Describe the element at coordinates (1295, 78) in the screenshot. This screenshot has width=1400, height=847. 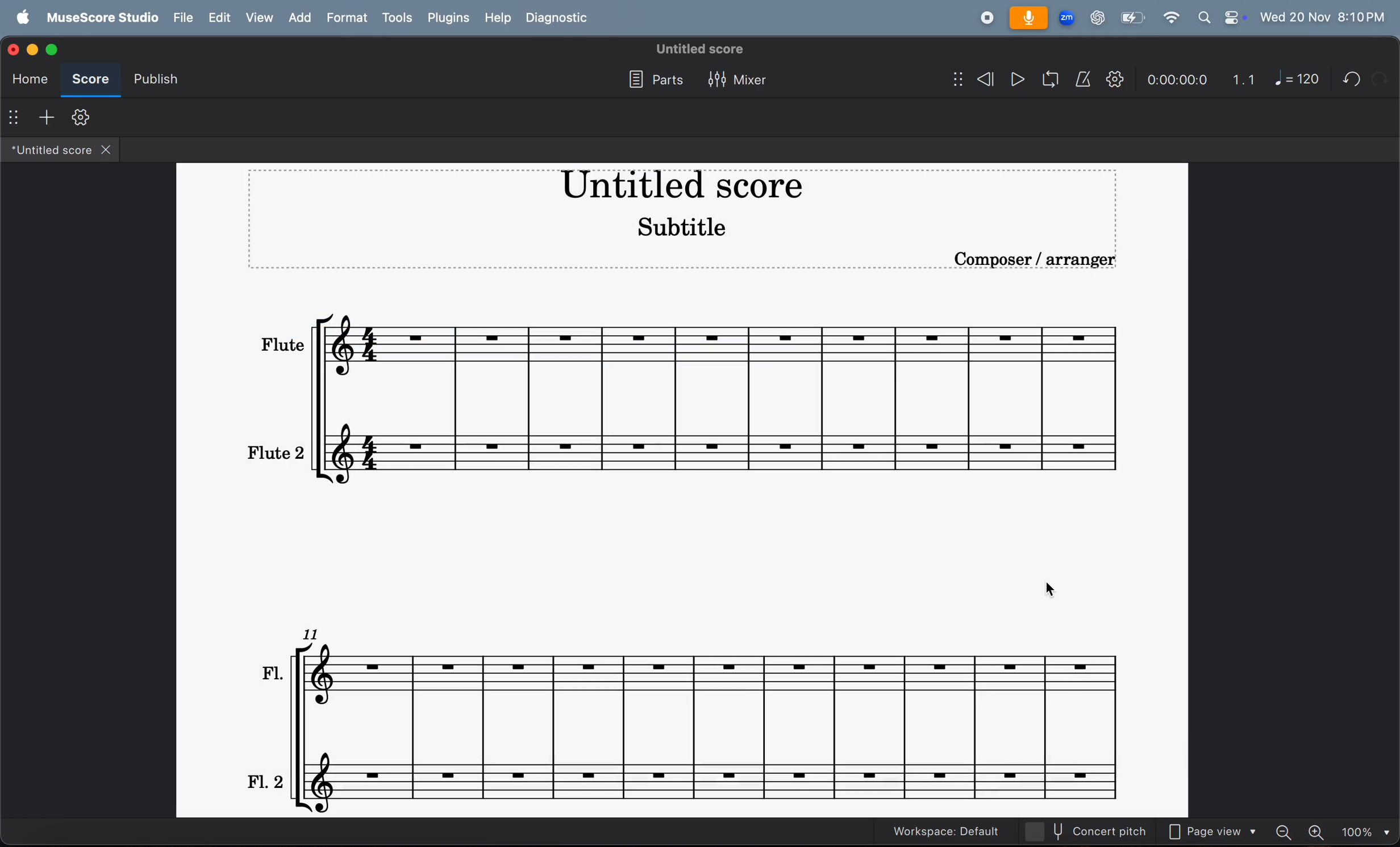
I see `note 120` at that location.